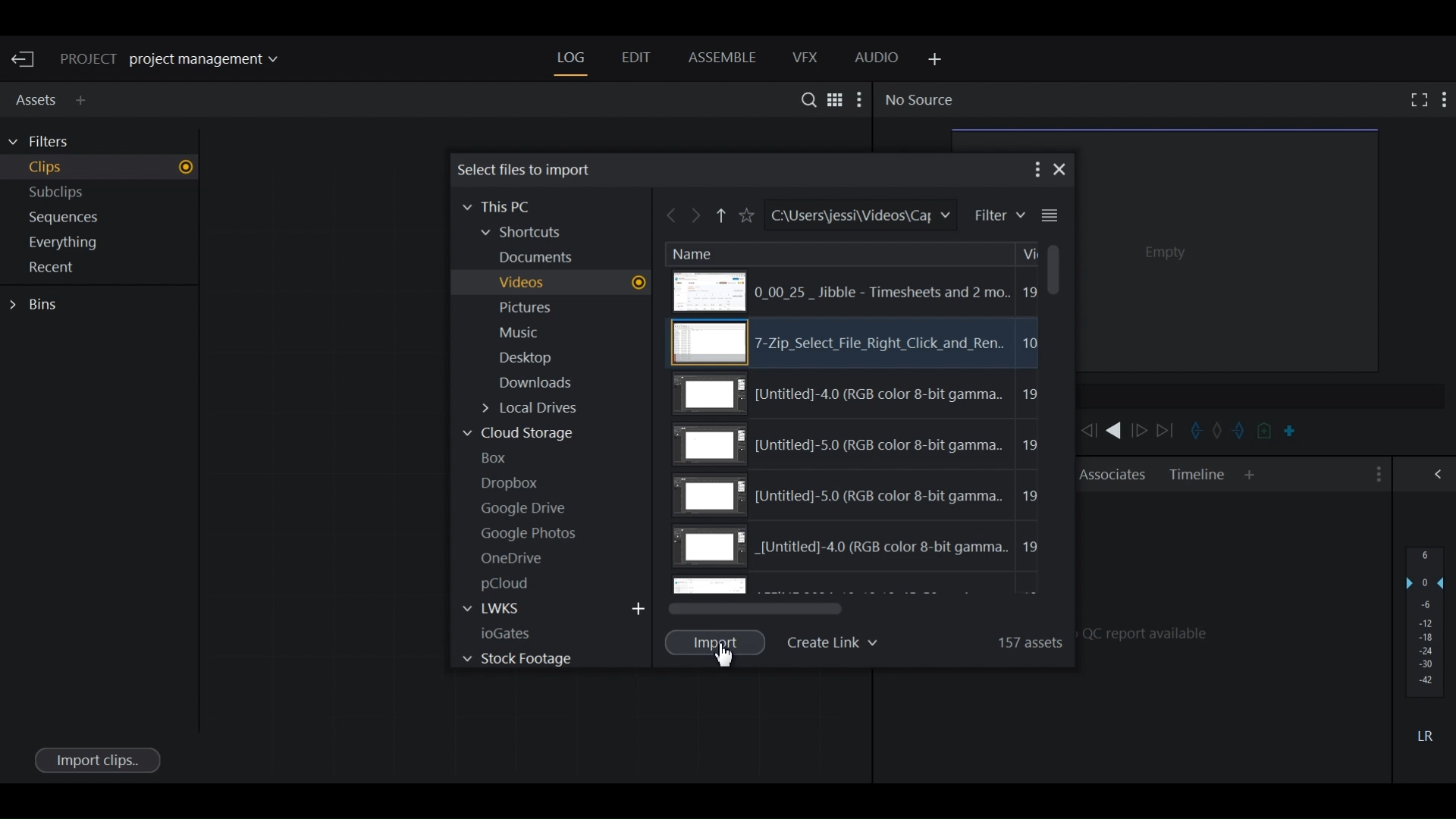 This screenshot has width=1456, height=819. What do you see at coordinates (513, 558) in the screenshot?
I see `OneDrives` at bounding box center [513, 558].